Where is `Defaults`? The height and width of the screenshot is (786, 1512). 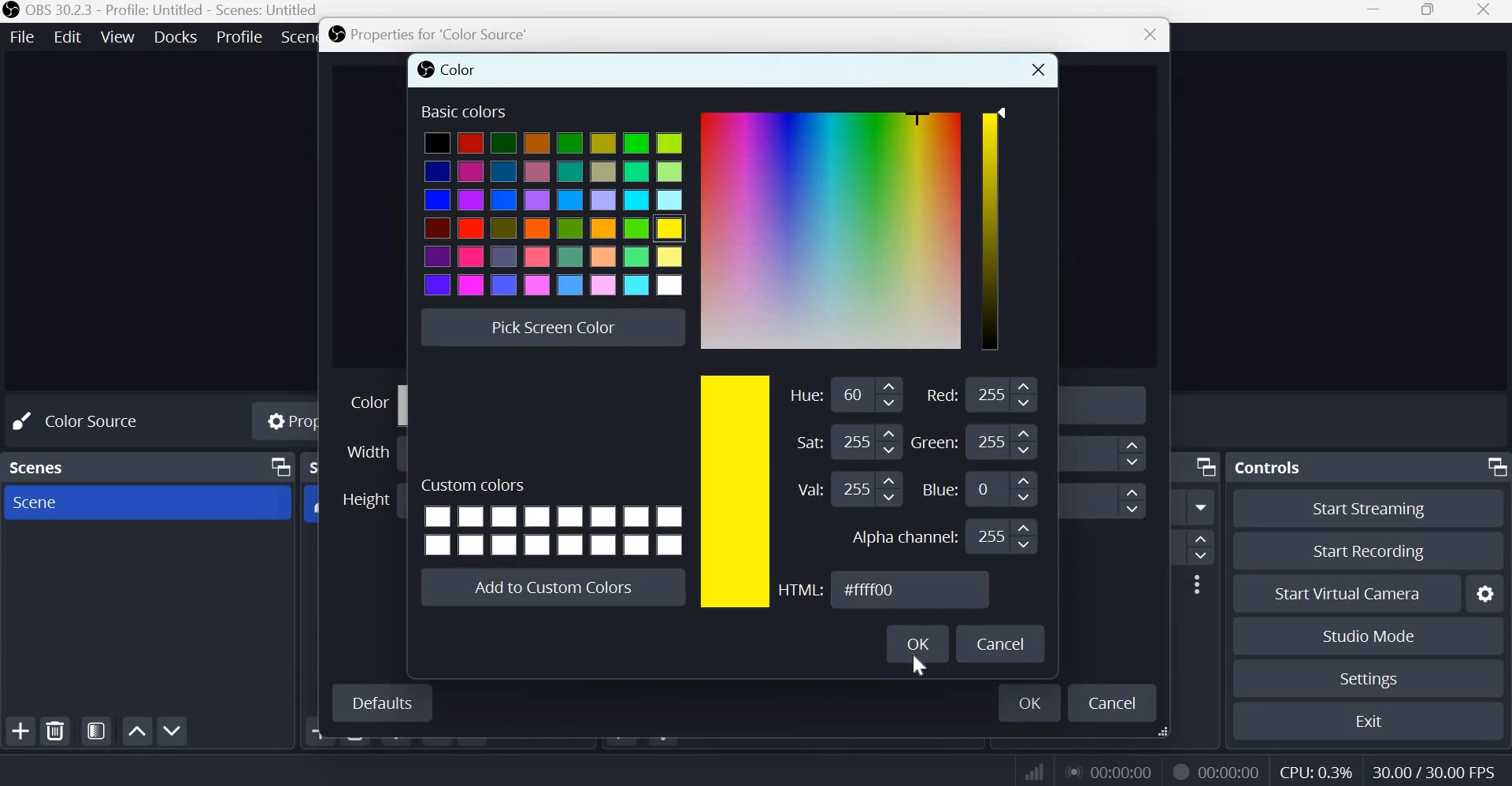
Defaults is located at coordinates (384, 701).